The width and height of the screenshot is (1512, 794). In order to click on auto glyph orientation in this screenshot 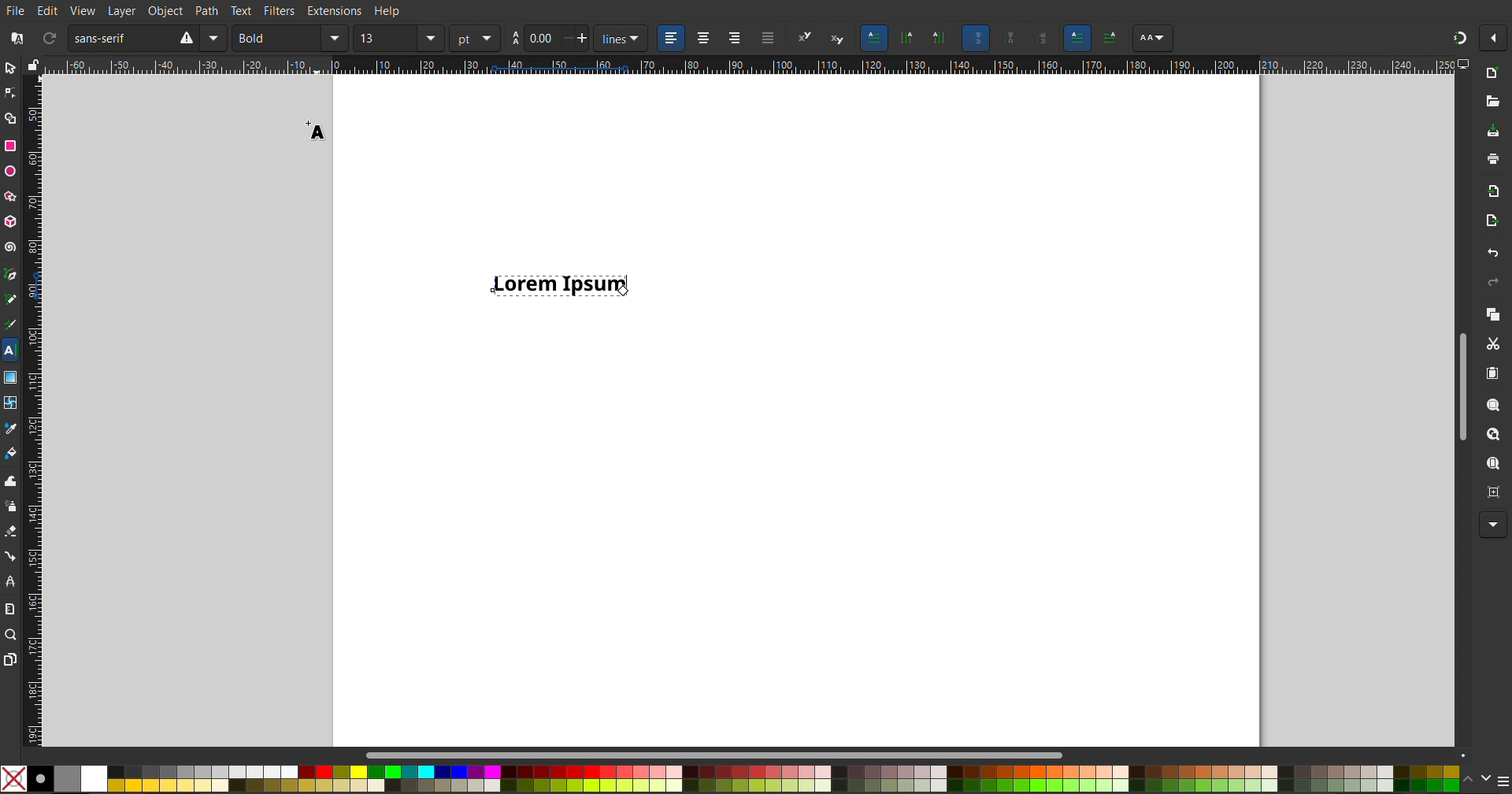, I will do `click(975, 38)`.